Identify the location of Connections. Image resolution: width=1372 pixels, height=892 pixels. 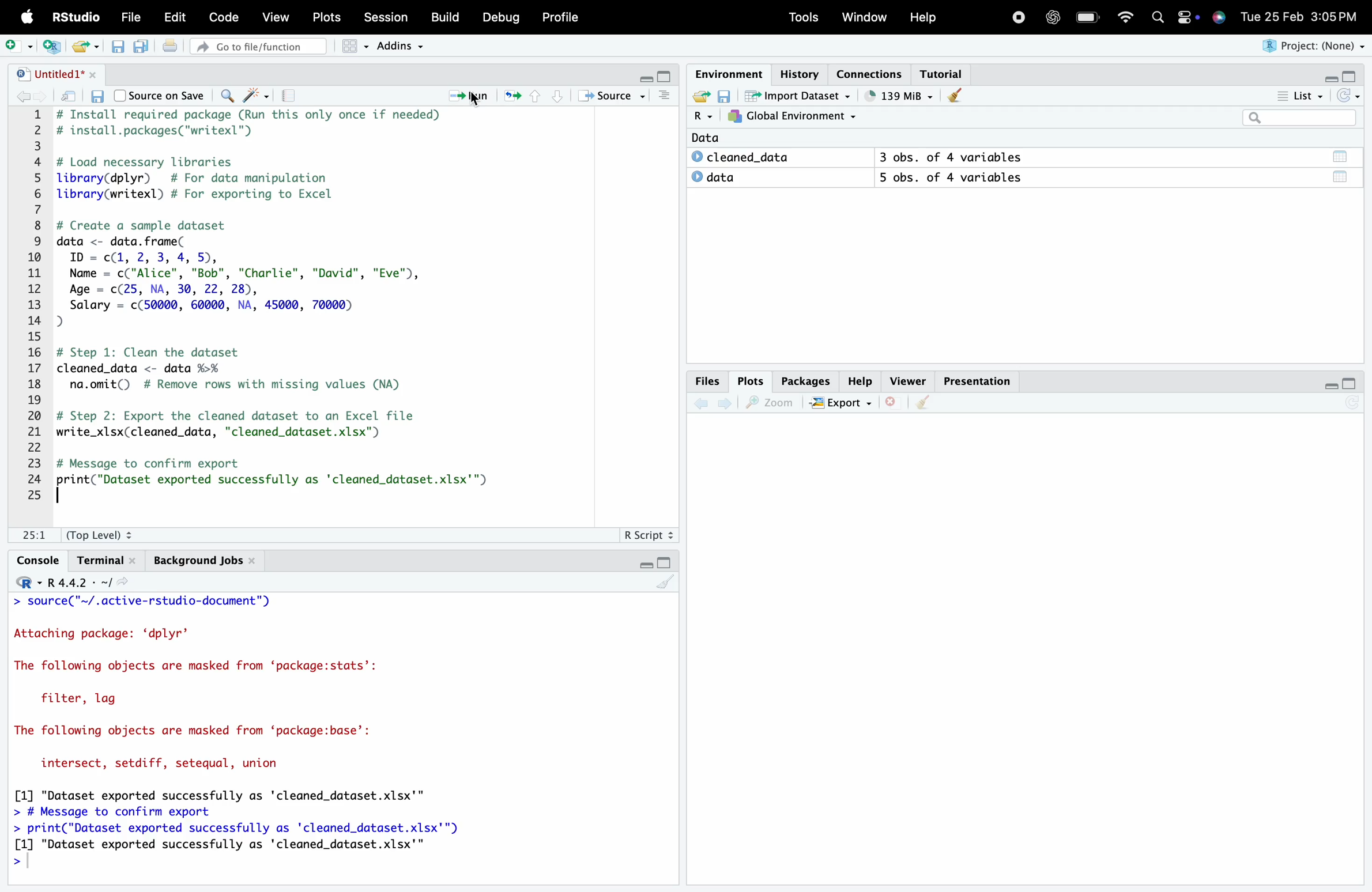
(873, 74).